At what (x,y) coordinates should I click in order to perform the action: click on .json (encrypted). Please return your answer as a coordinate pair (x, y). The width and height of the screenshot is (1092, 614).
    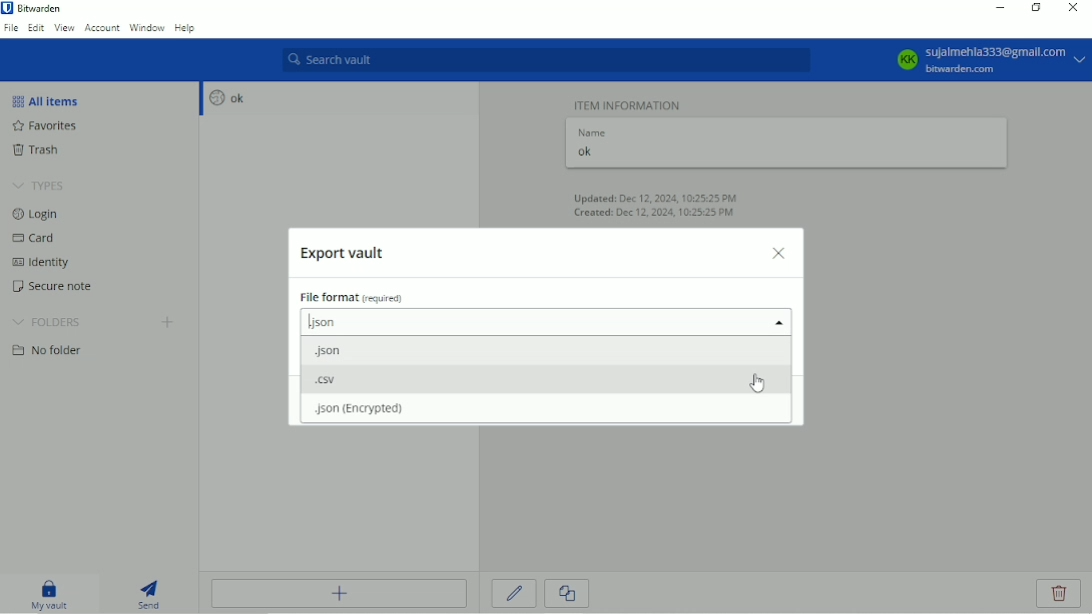
    Looking at the image, I should click on (361, 410).